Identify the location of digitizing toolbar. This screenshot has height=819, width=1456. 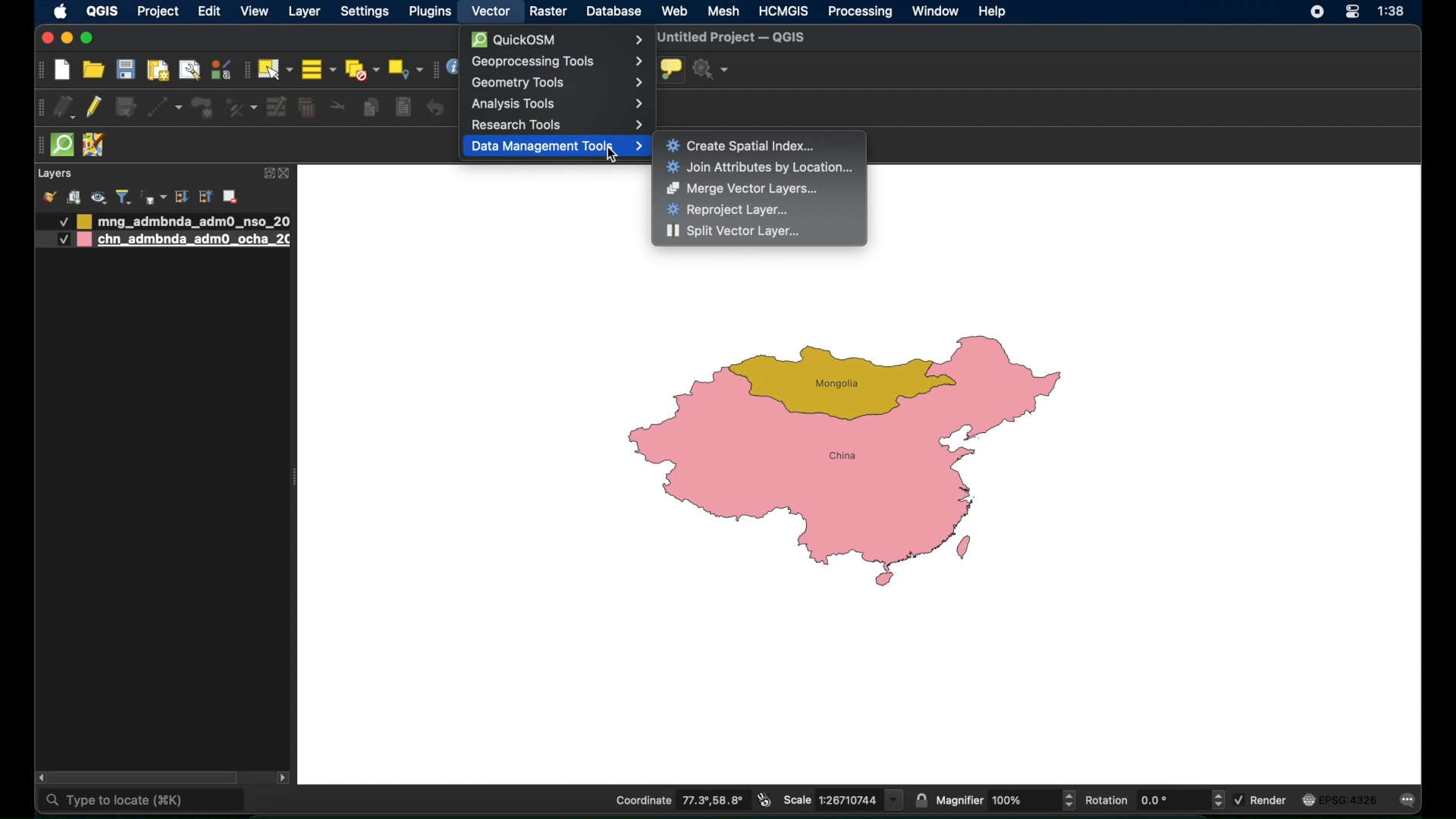
(41, 108).